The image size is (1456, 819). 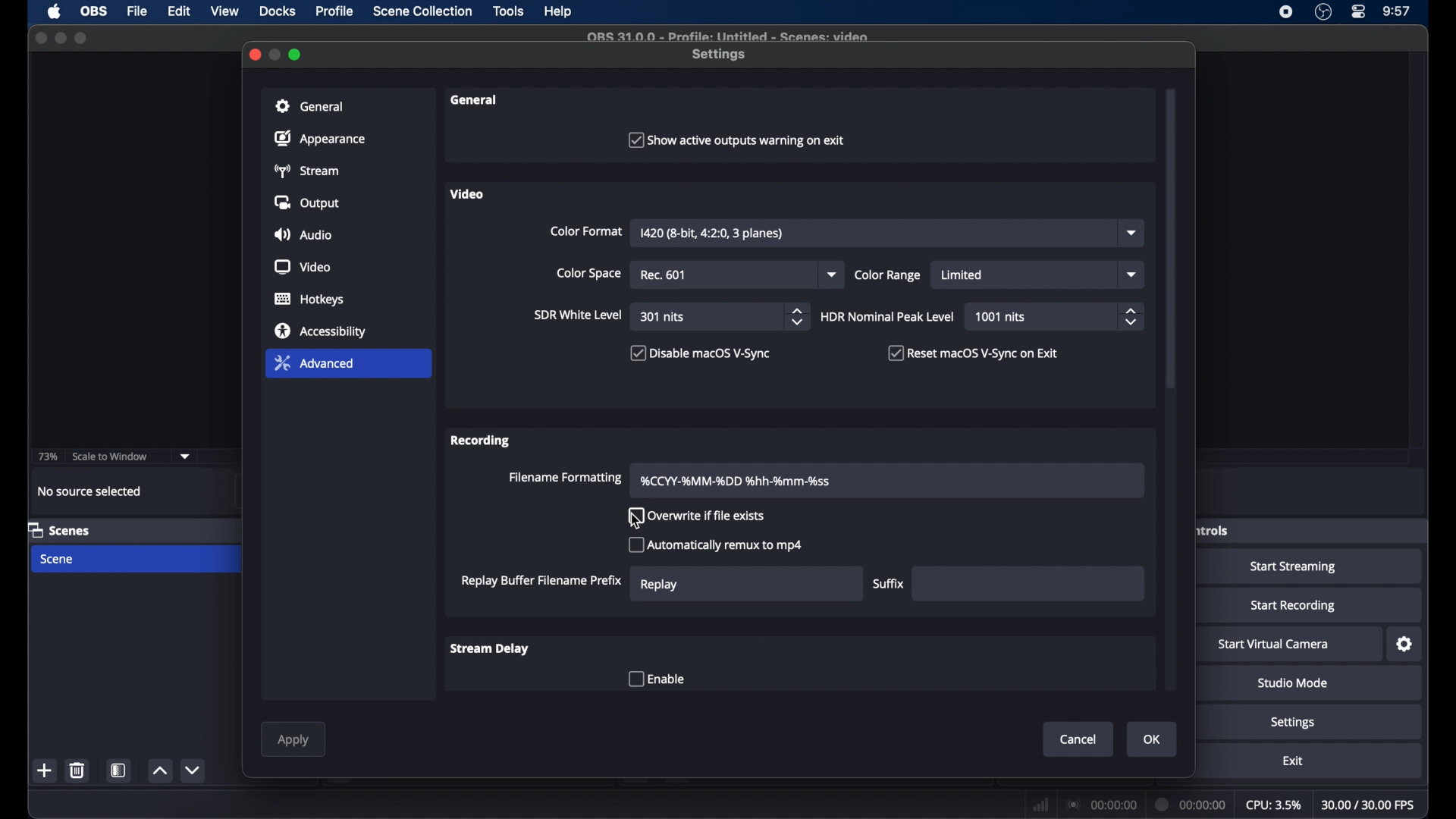 What do you see at coordinates (716, 544) in the screenshot?
I see `automatically remix to mp4` at bounding box center [716, 544].